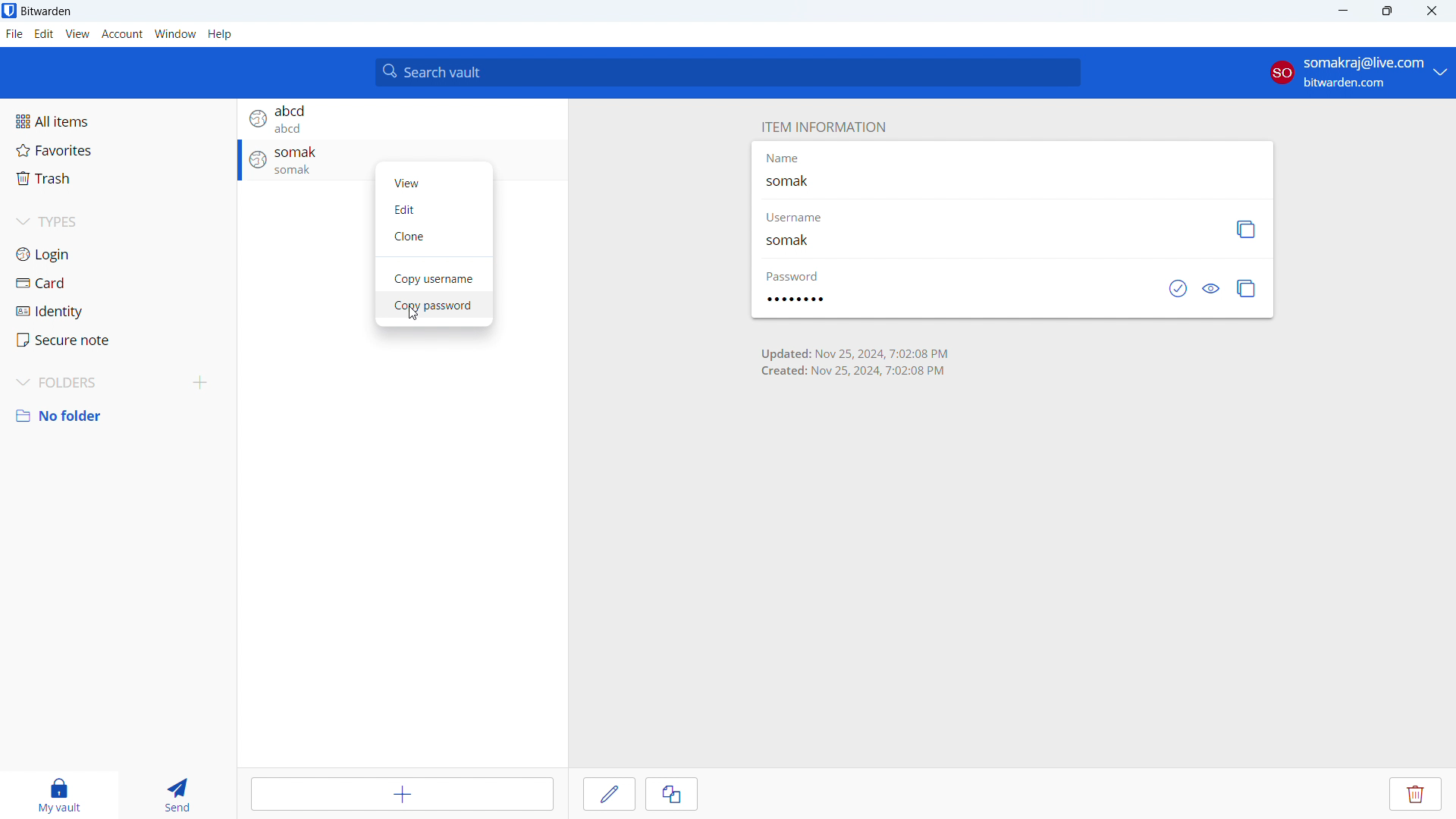  I want to click on maximize, so click(1386, 11).